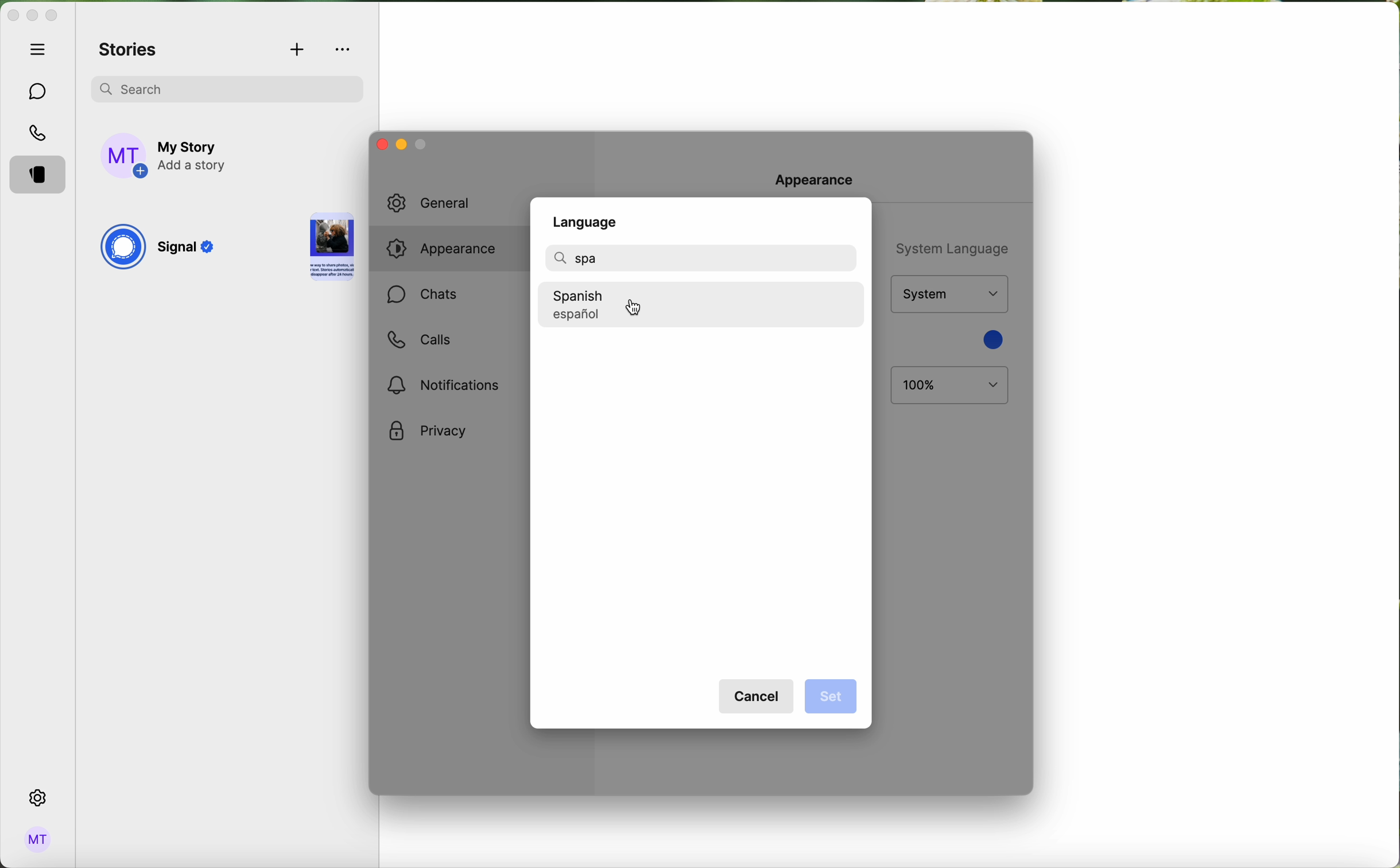  Describe the element at coordinates (38, 92) in the screenshot. I see `chats` at that location.